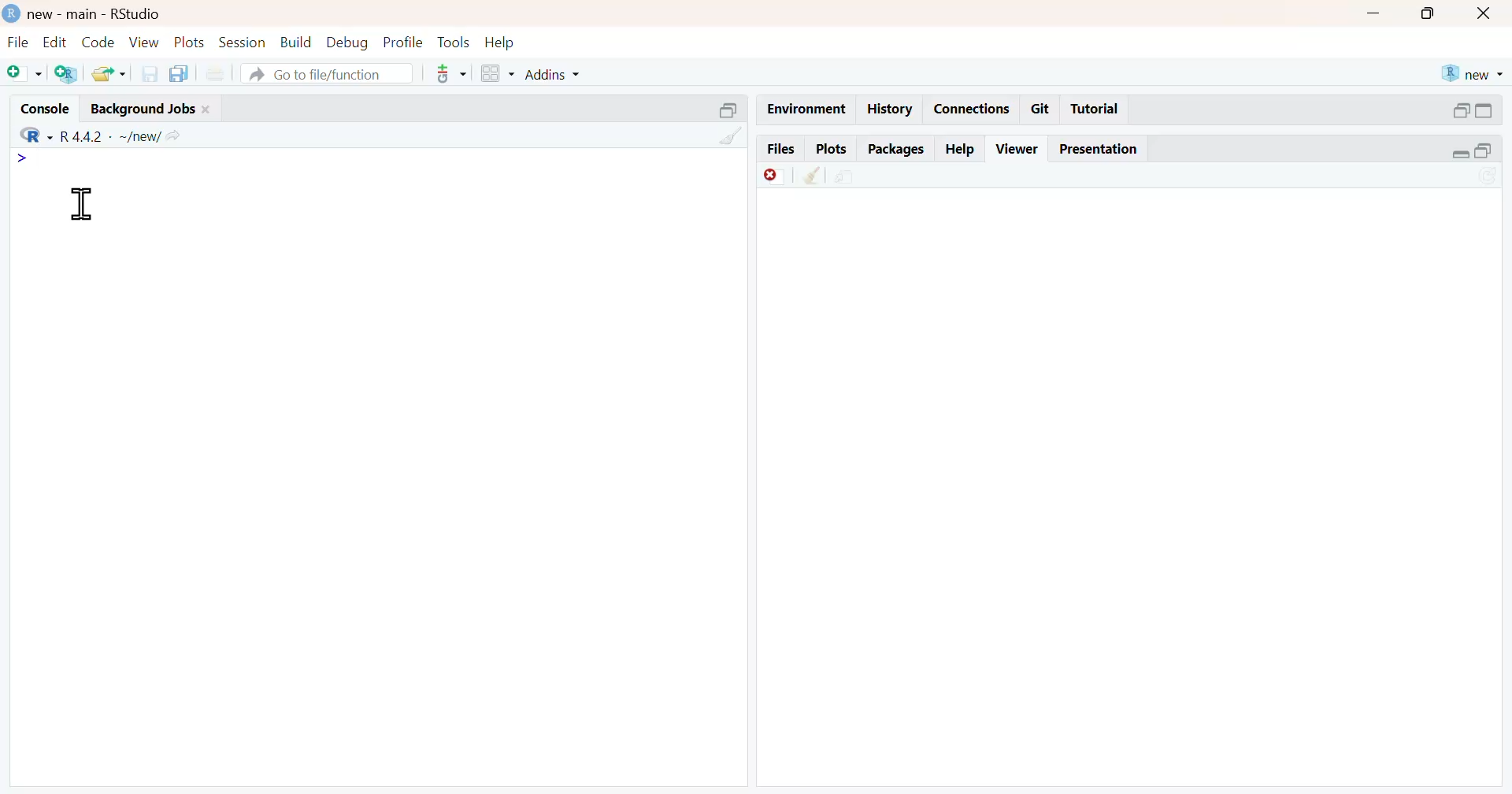 The image size is (1512, 794). I want to click on console, so click(45, 106).